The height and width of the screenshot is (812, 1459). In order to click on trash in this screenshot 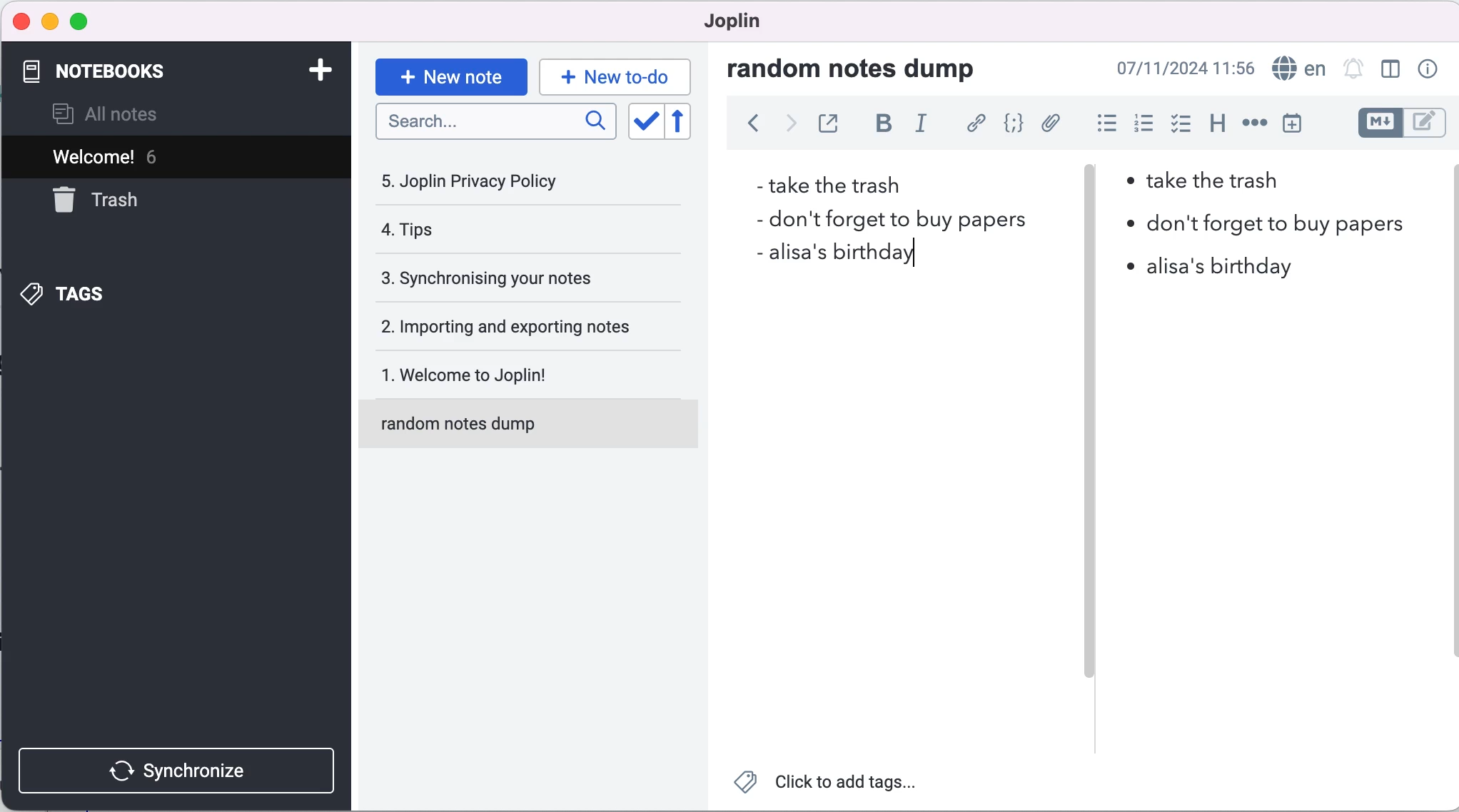, I will do `click(131, 201)`.